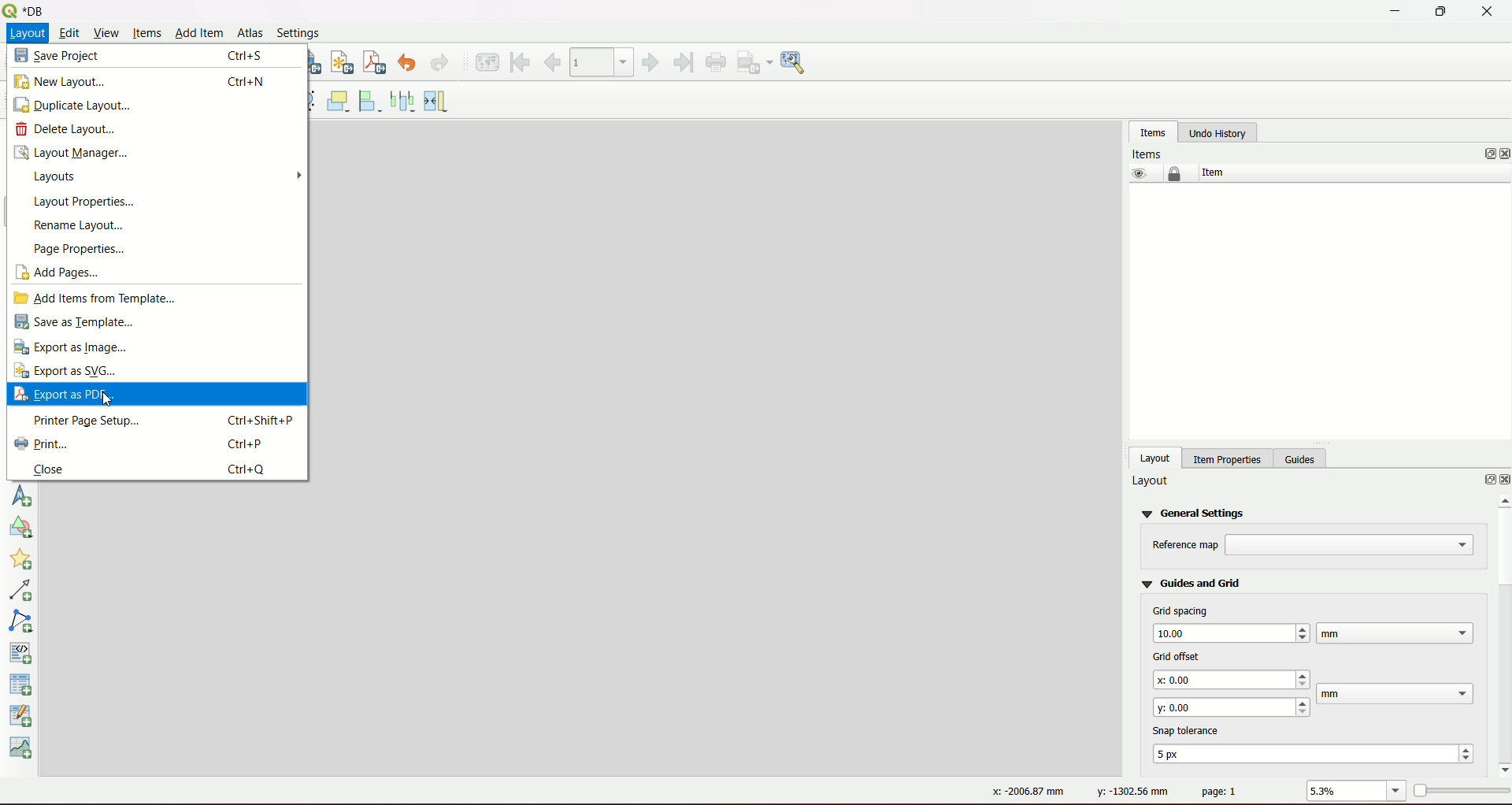  What do you see at coordinates (1217, 133) in the screenshot?
I see `undo history` at bounding box center [1217, 133].